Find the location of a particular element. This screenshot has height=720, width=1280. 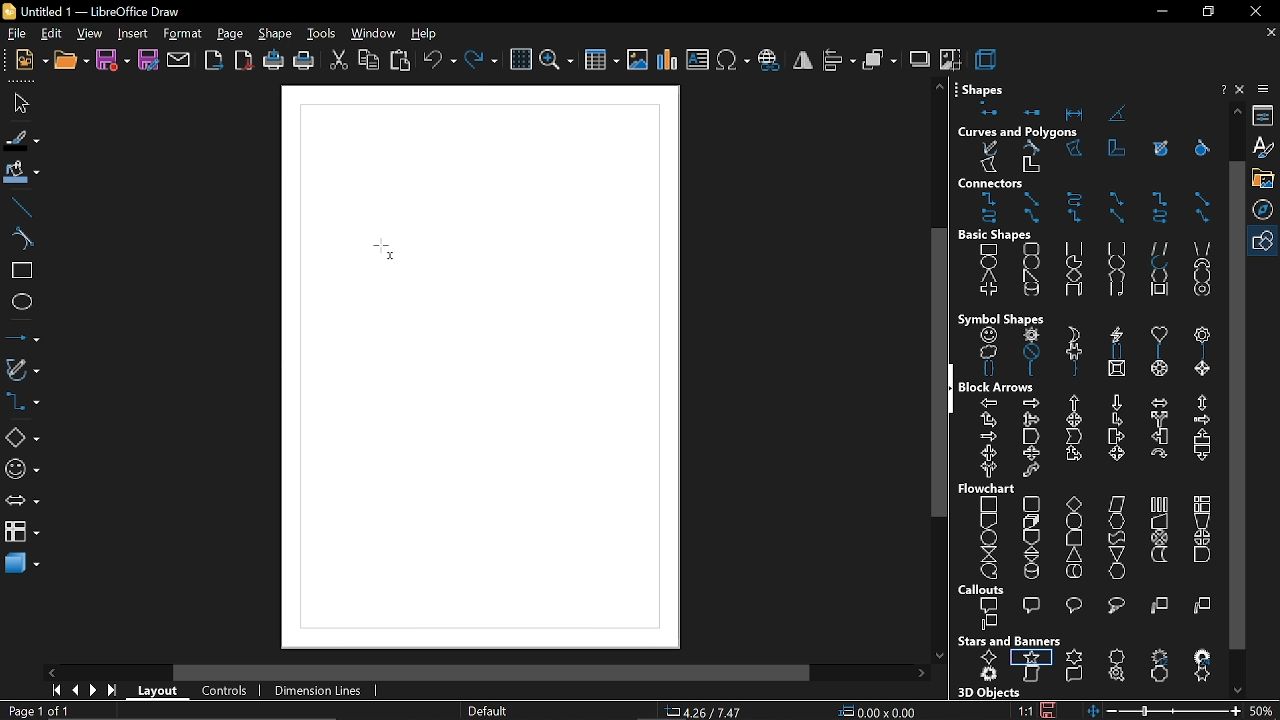

gallery is located at coordinates (1266, 178).